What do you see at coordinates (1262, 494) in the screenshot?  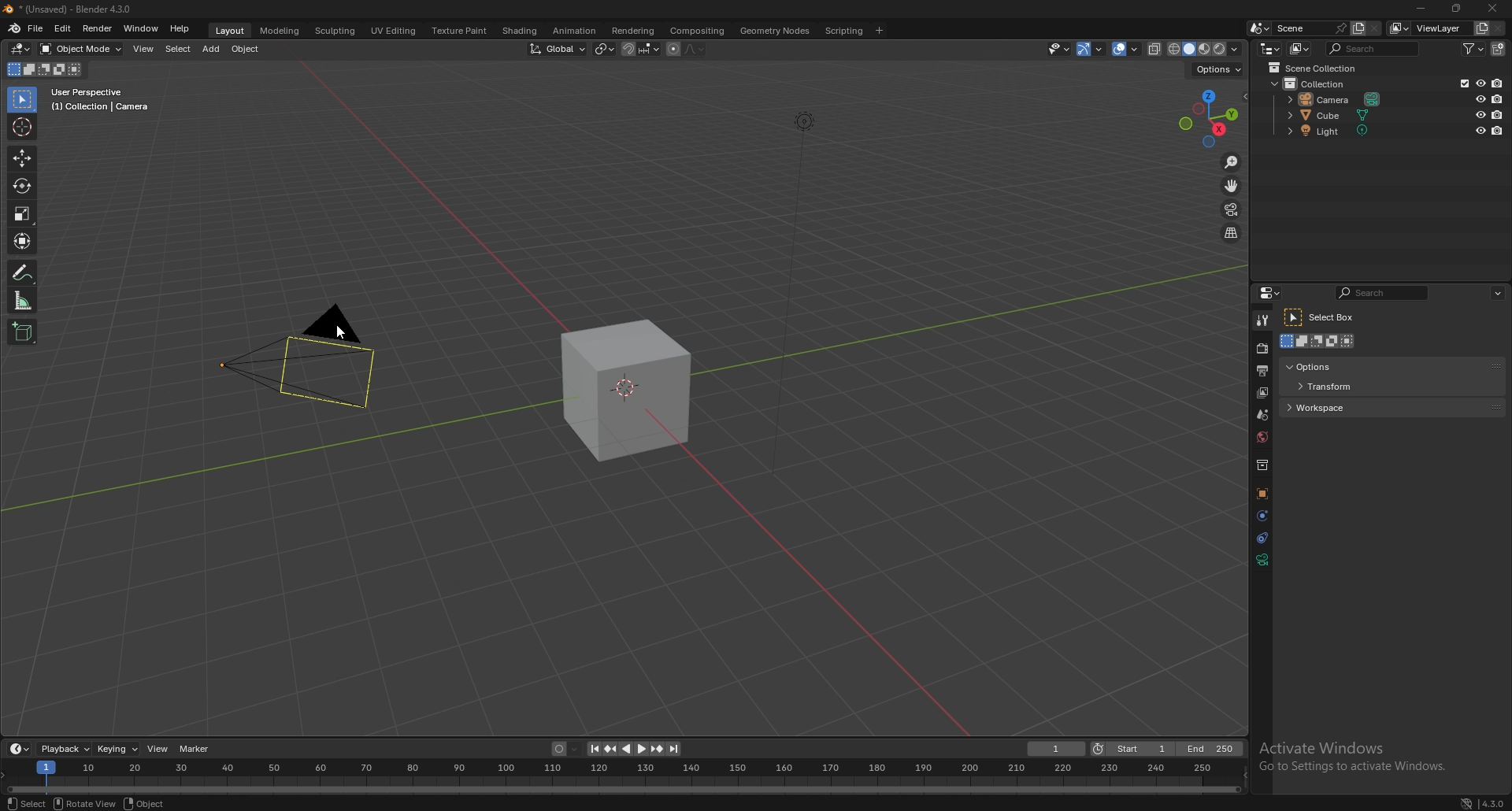 I see `objects` at bounding box center [1262, 494].